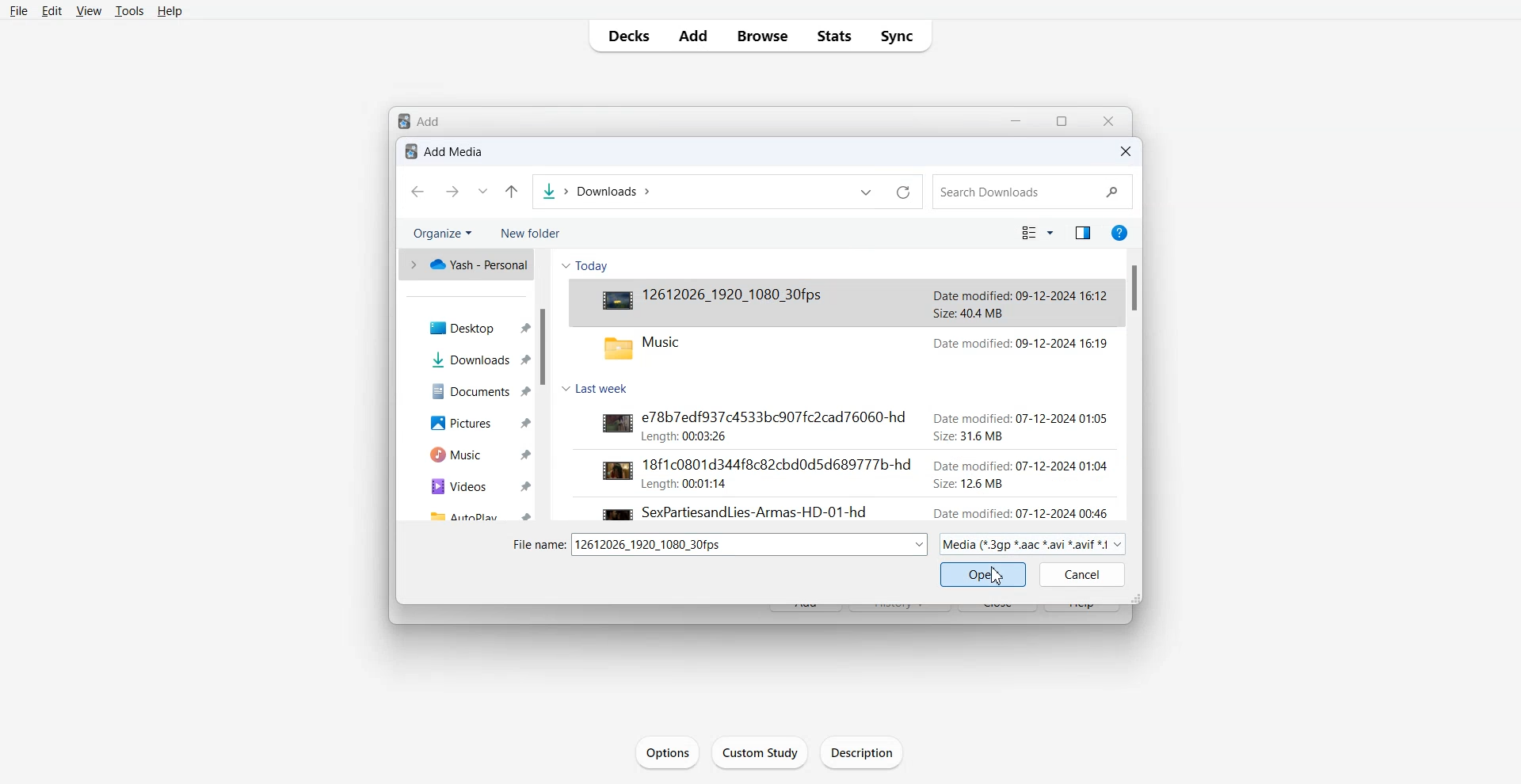 This screenshot has width=1521, height=784. Describe the element at coordinates (474, 360) in the screenshot. I see `Downloads` at that location.